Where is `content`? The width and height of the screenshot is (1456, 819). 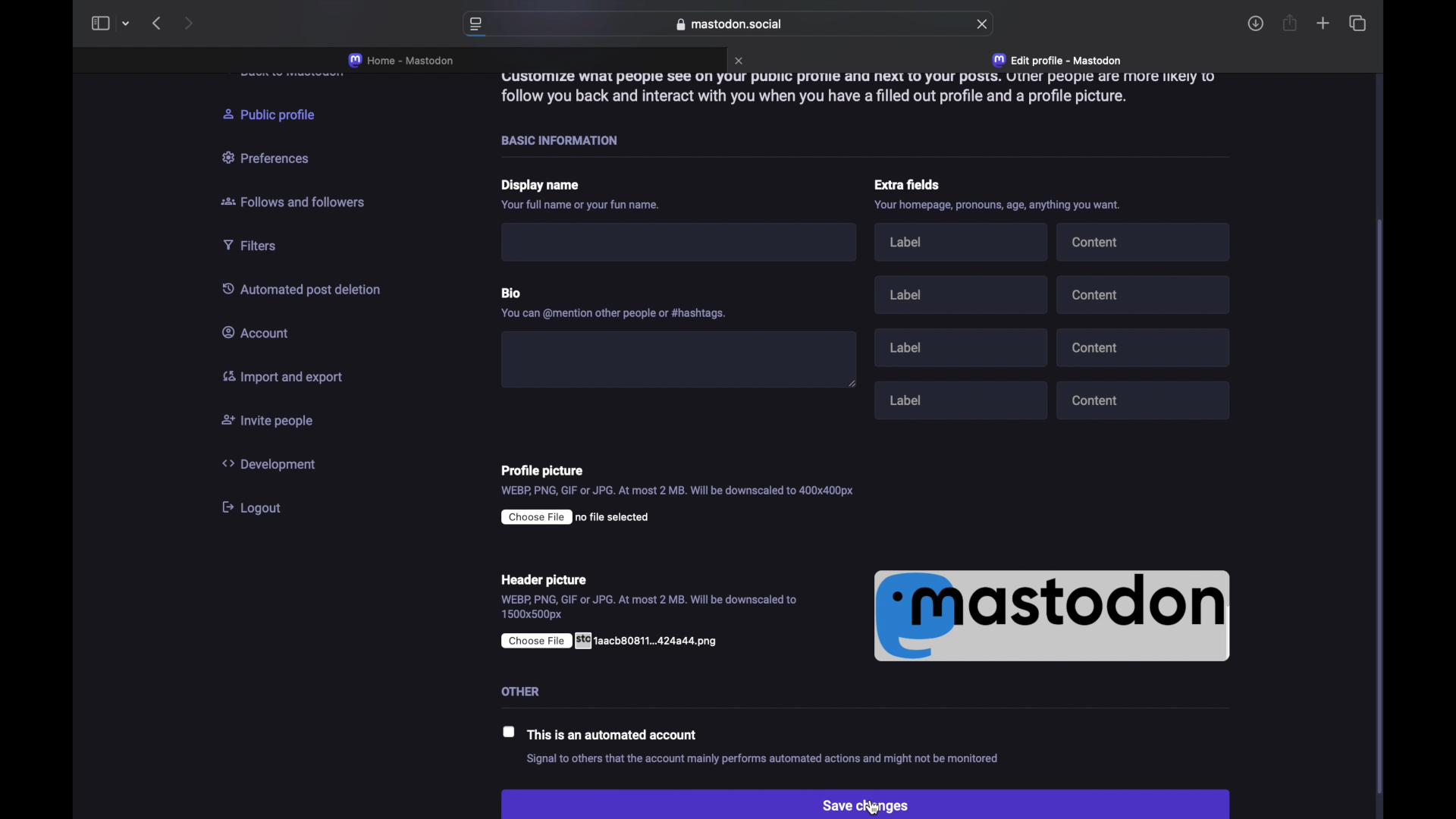
content is located at coordinates (1145, 402).